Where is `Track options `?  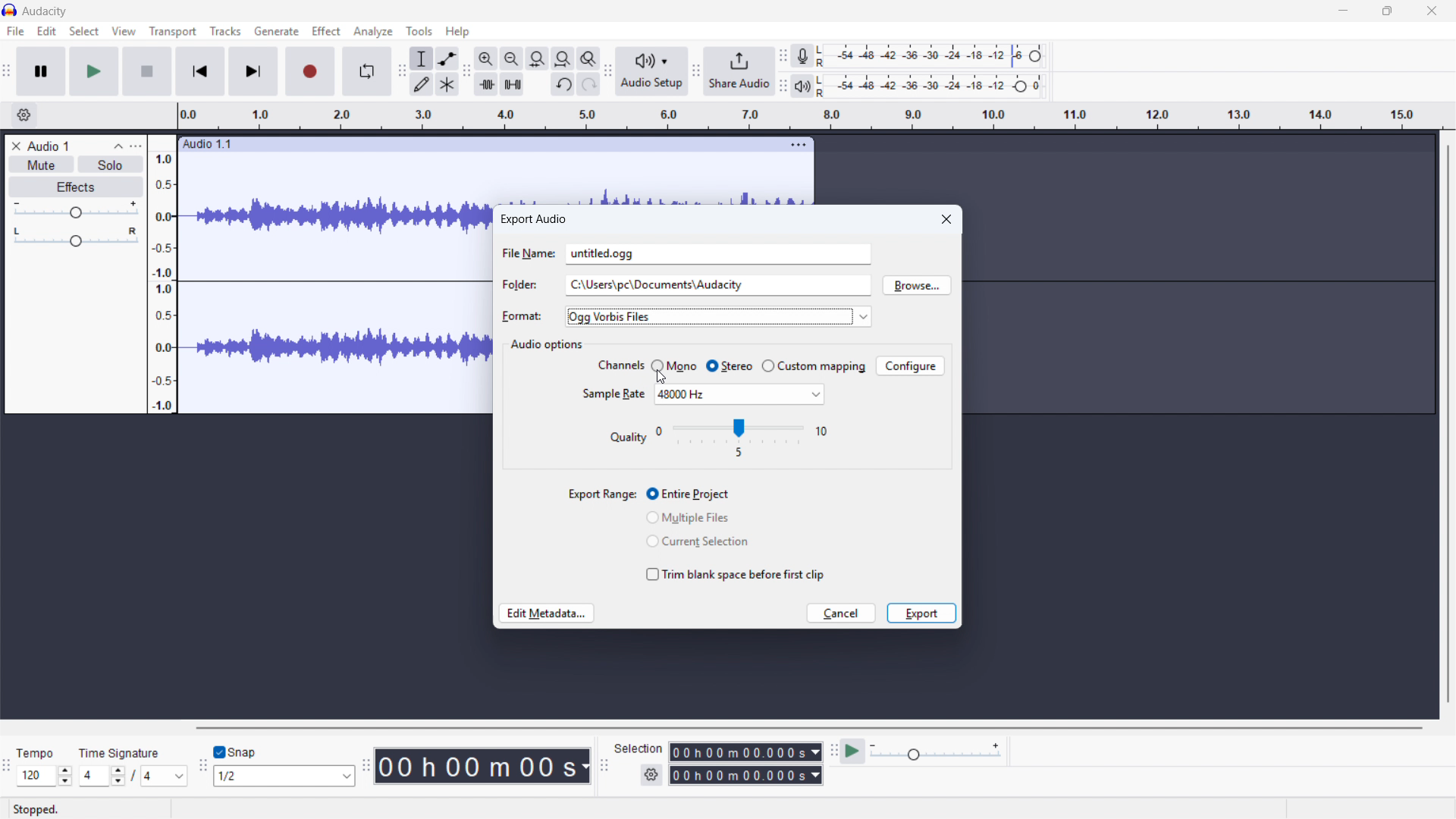 Track options  is located at coordinates (798, 144).